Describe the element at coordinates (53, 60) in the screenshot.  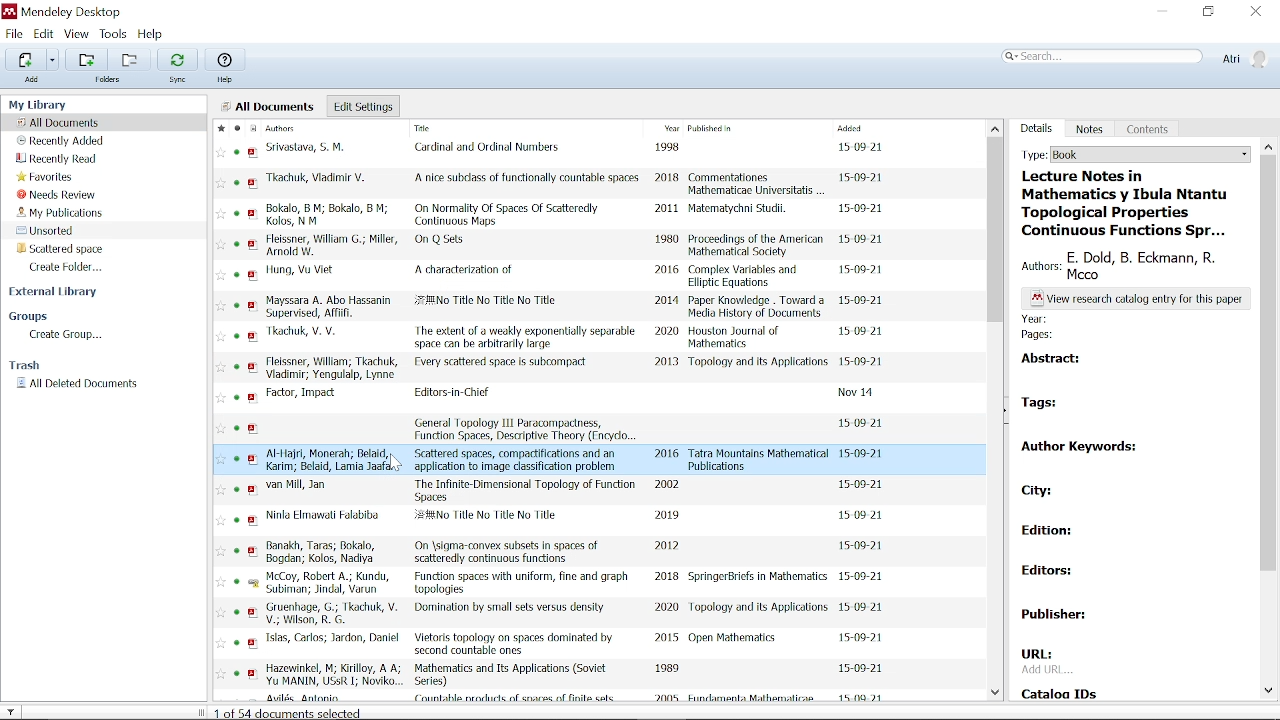
I see `Add files options` at that location.